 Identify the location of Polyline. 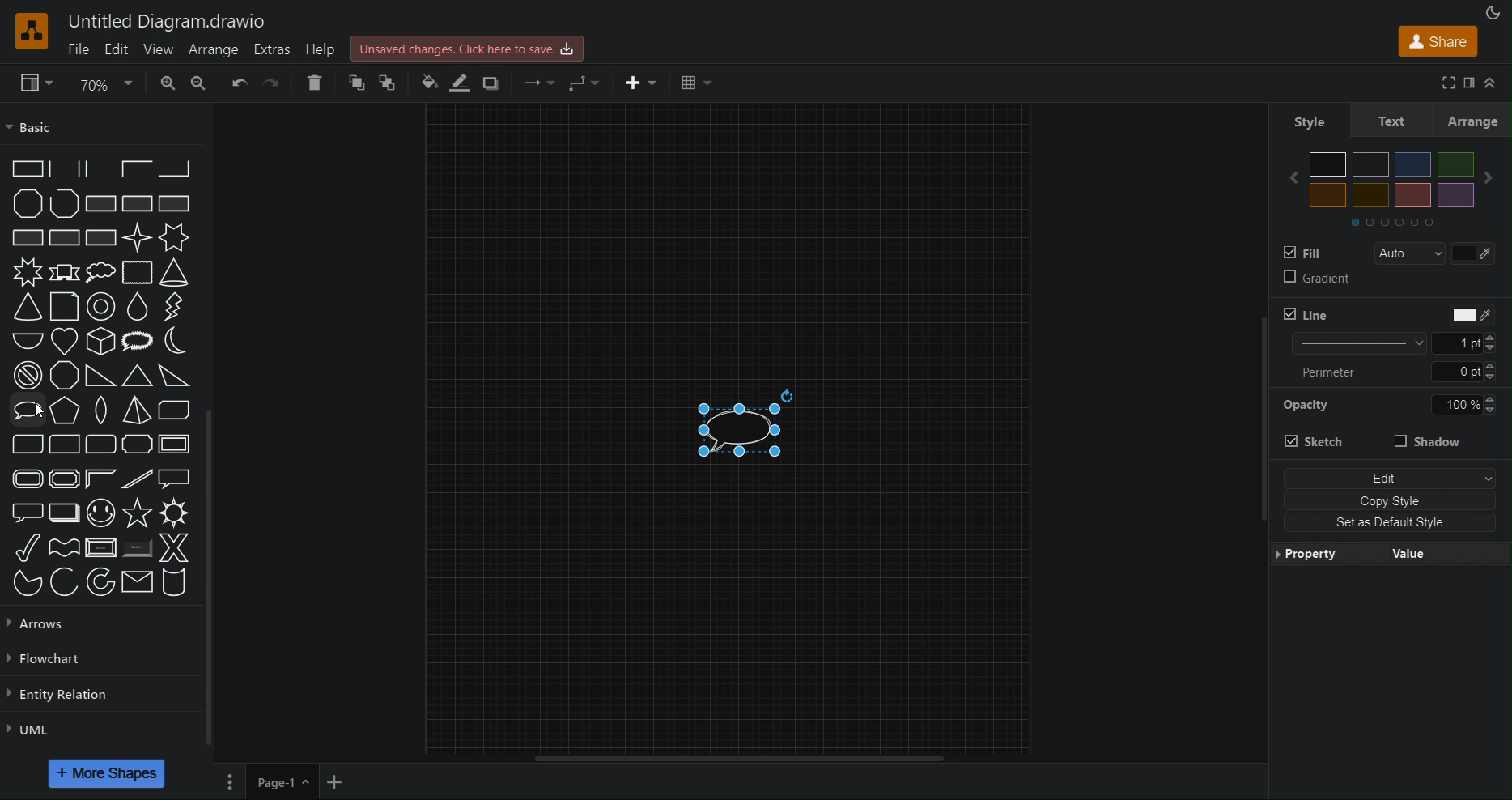
(65, 203).